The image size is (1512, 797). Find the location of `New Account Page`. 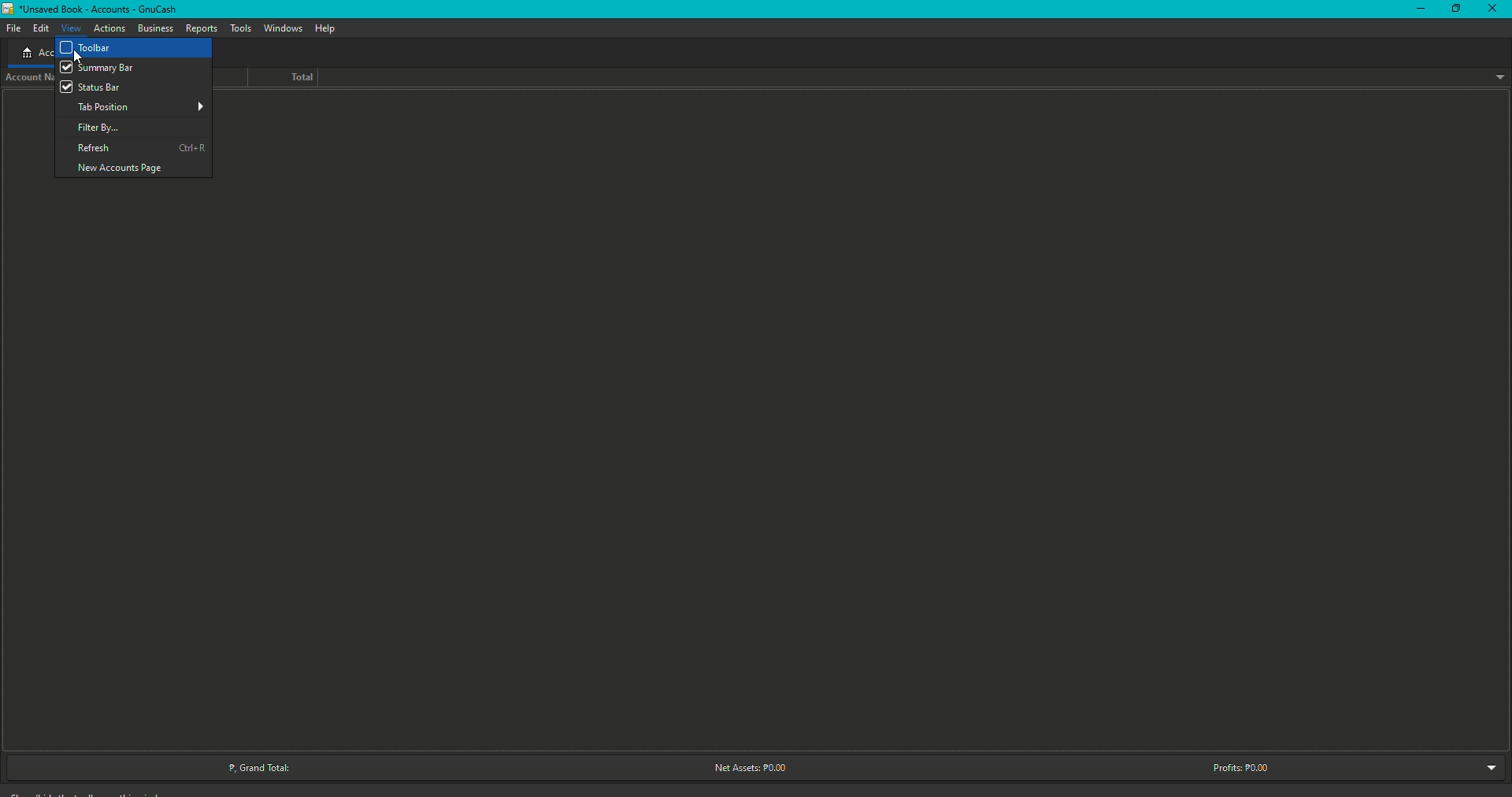

New Account Page is located at coordinates (122, 167).